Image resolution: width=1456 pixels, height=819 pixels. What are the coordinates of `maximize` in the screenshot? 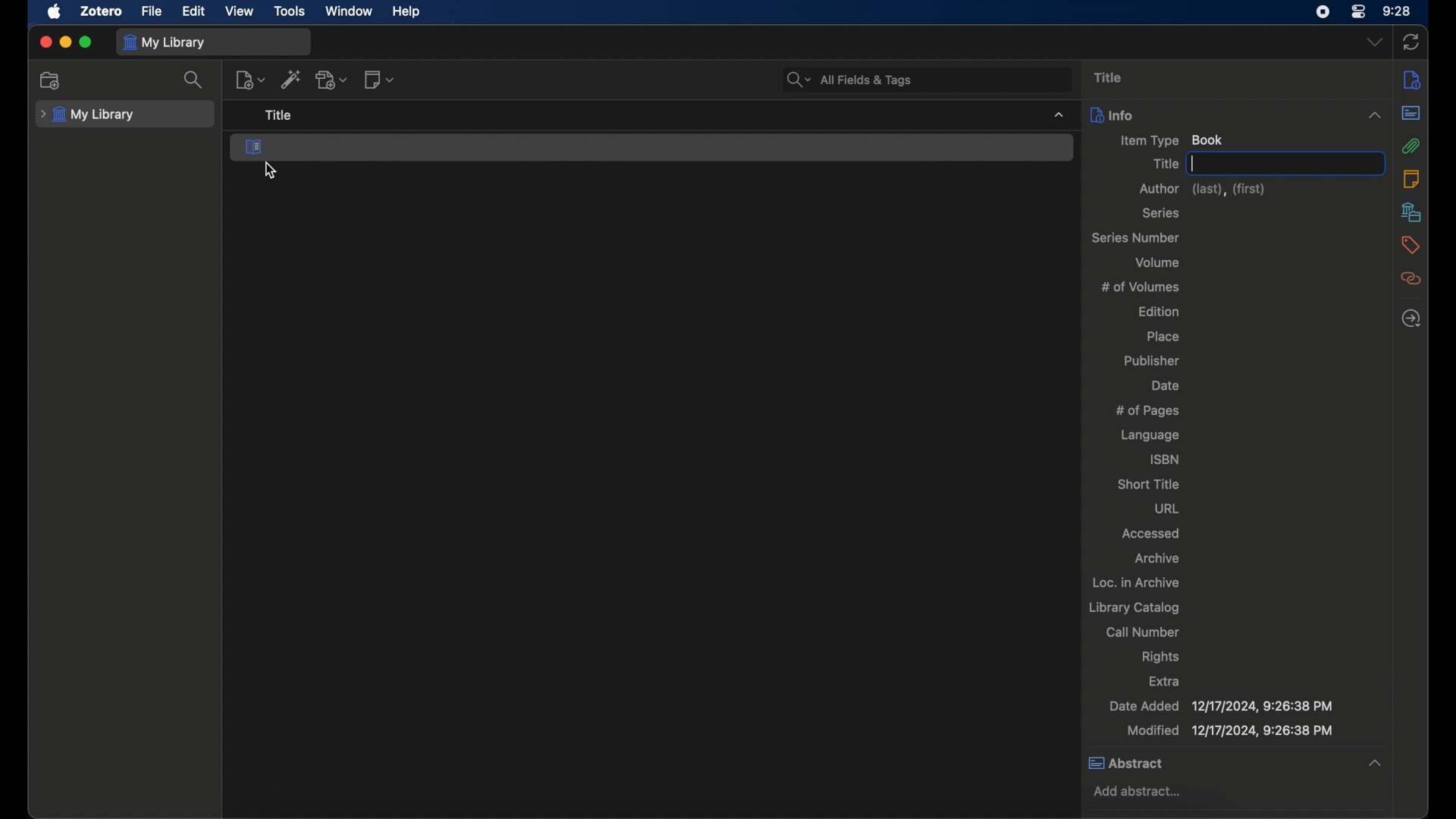 It's located at (86, 42).